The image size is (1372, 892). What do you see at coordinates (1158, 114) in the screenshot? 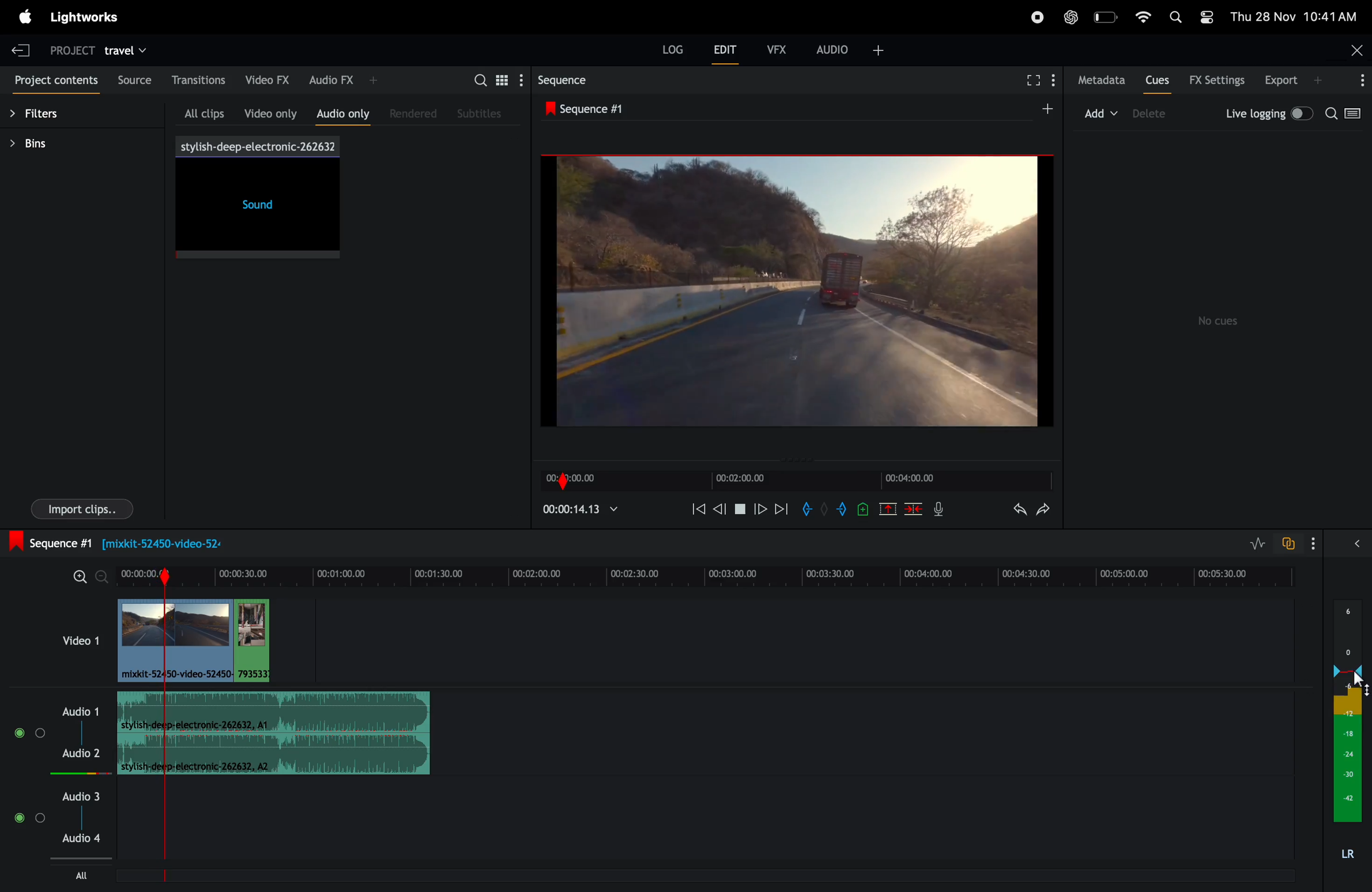
I see `delete` at bounding box center [1158, 114].